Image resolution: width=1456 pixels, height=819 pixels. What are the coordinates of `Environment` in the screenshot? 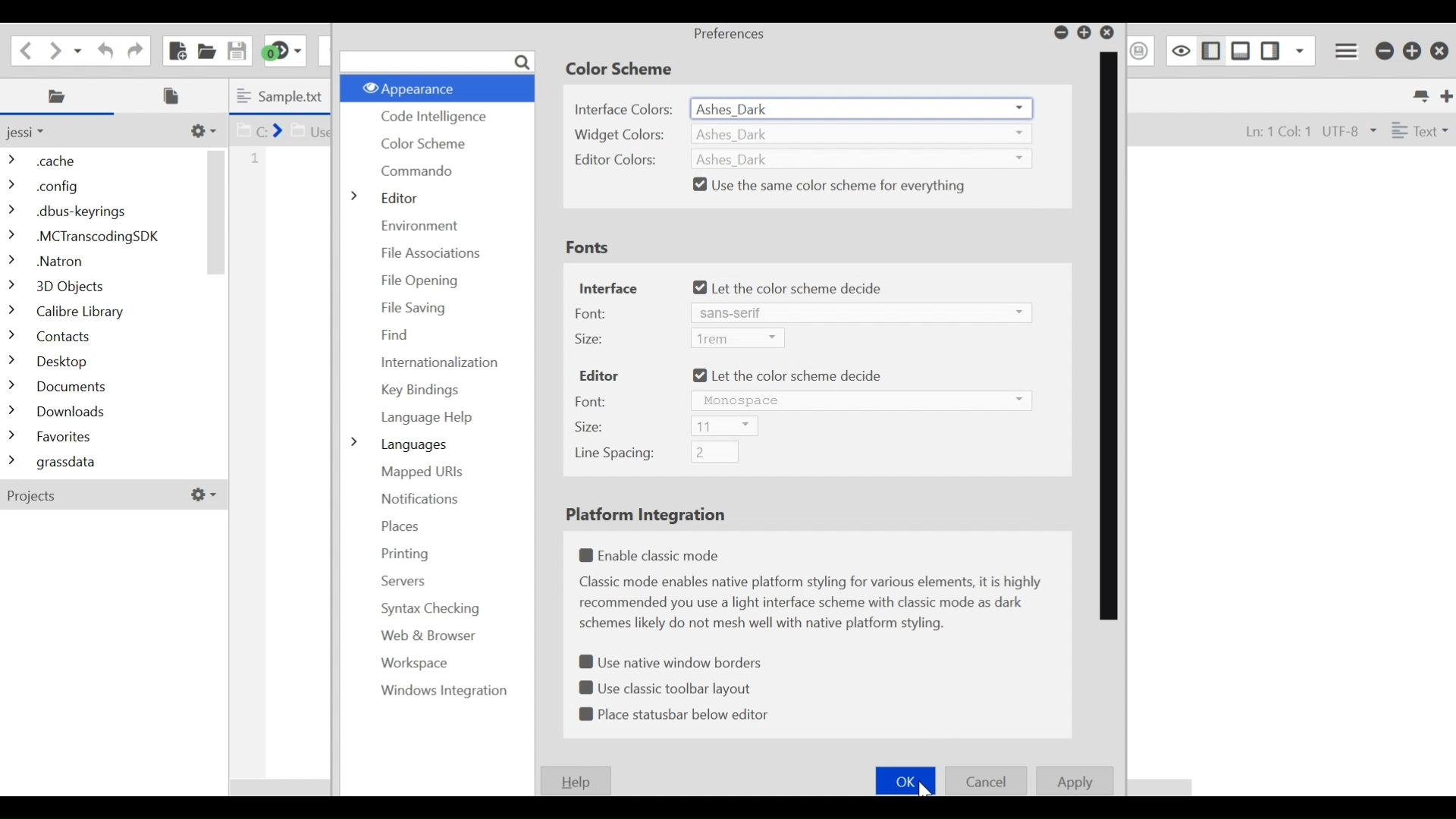 It's located at (425, 224).